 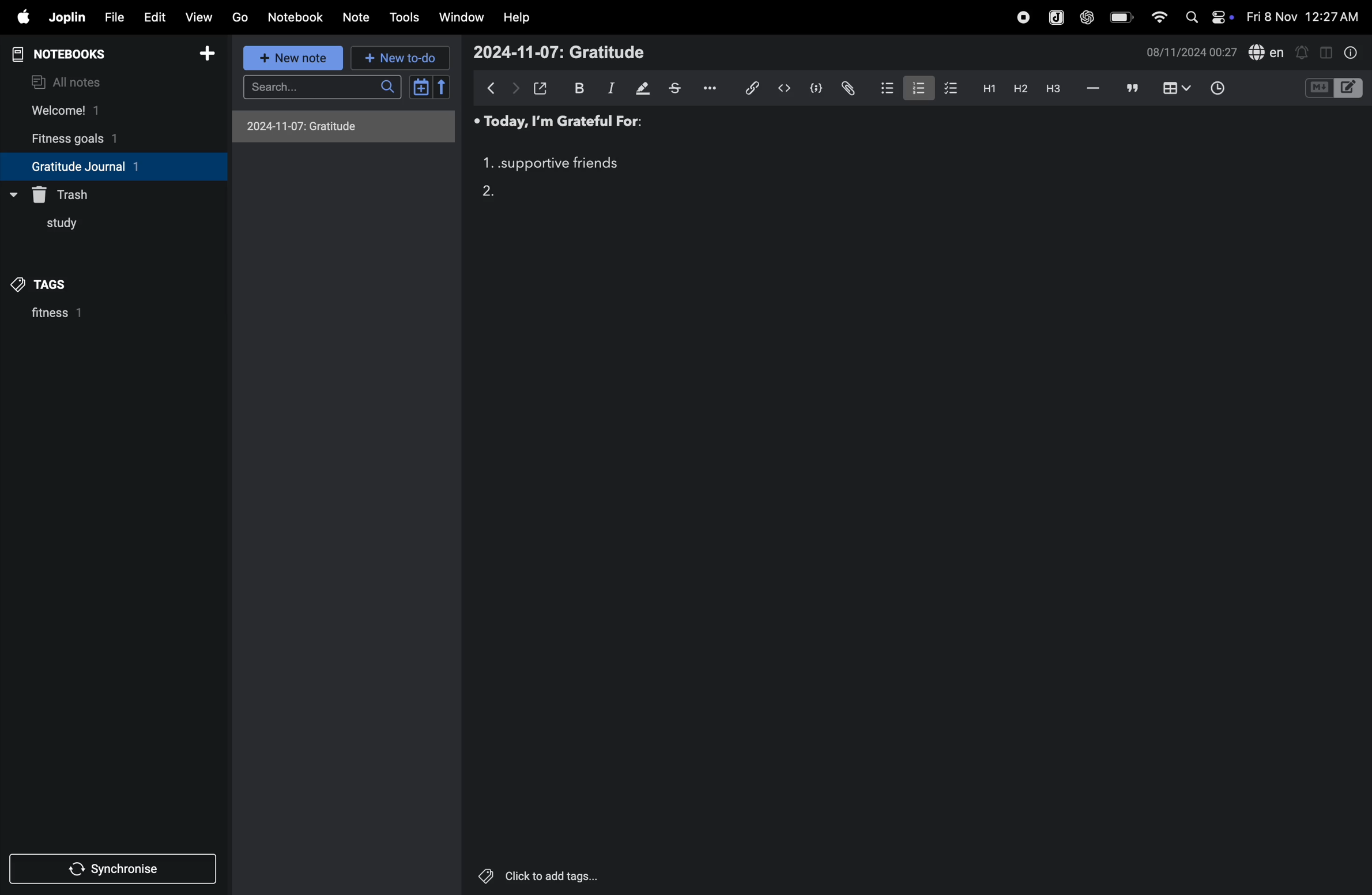 What do you see at coordinates (1334, 90) in the screenshot?
I see `toogle editor` at bounding box center [1334, 90].